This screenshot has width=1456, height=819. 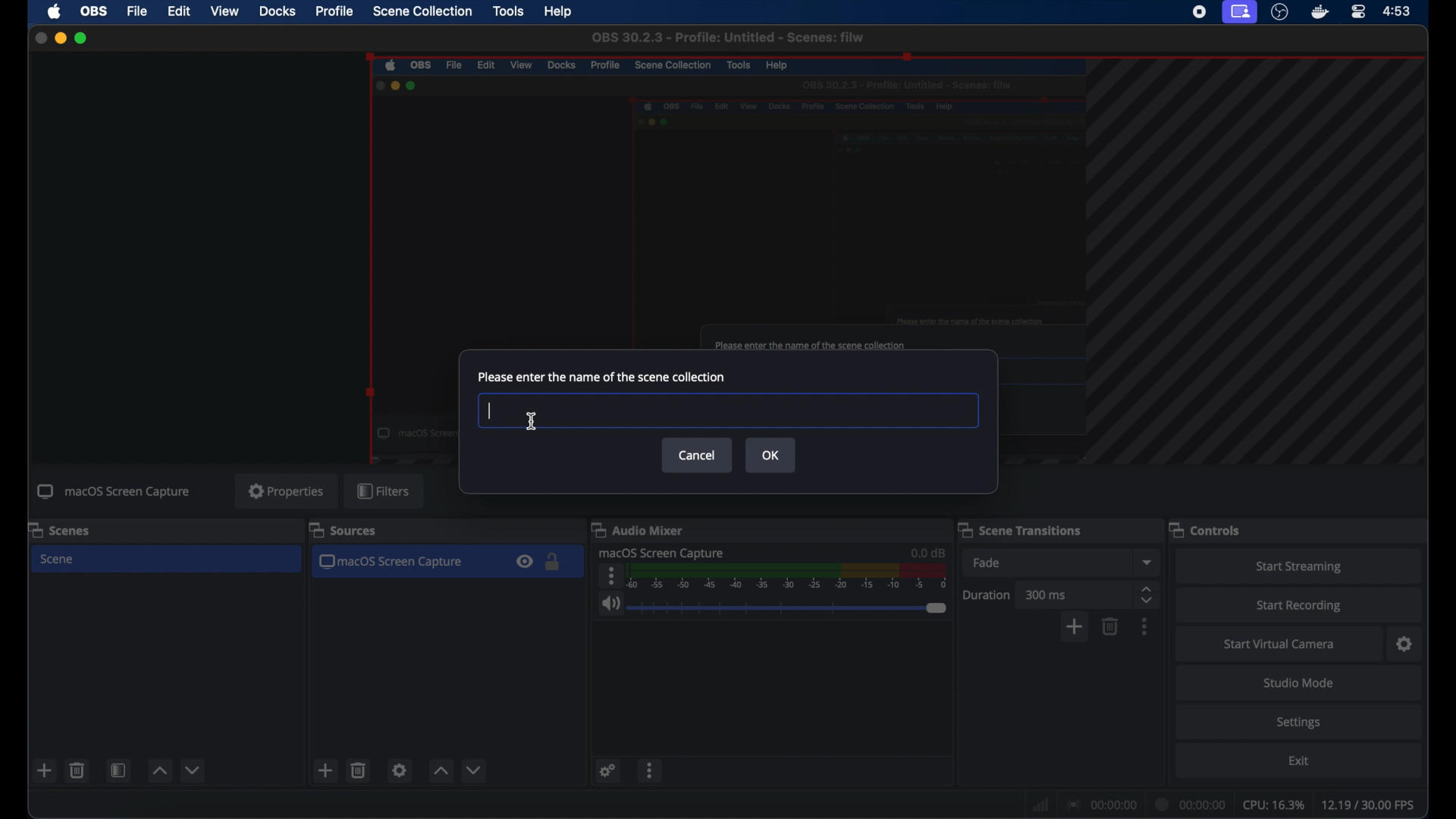 I want to click on obs, so click(x=94, y=11).